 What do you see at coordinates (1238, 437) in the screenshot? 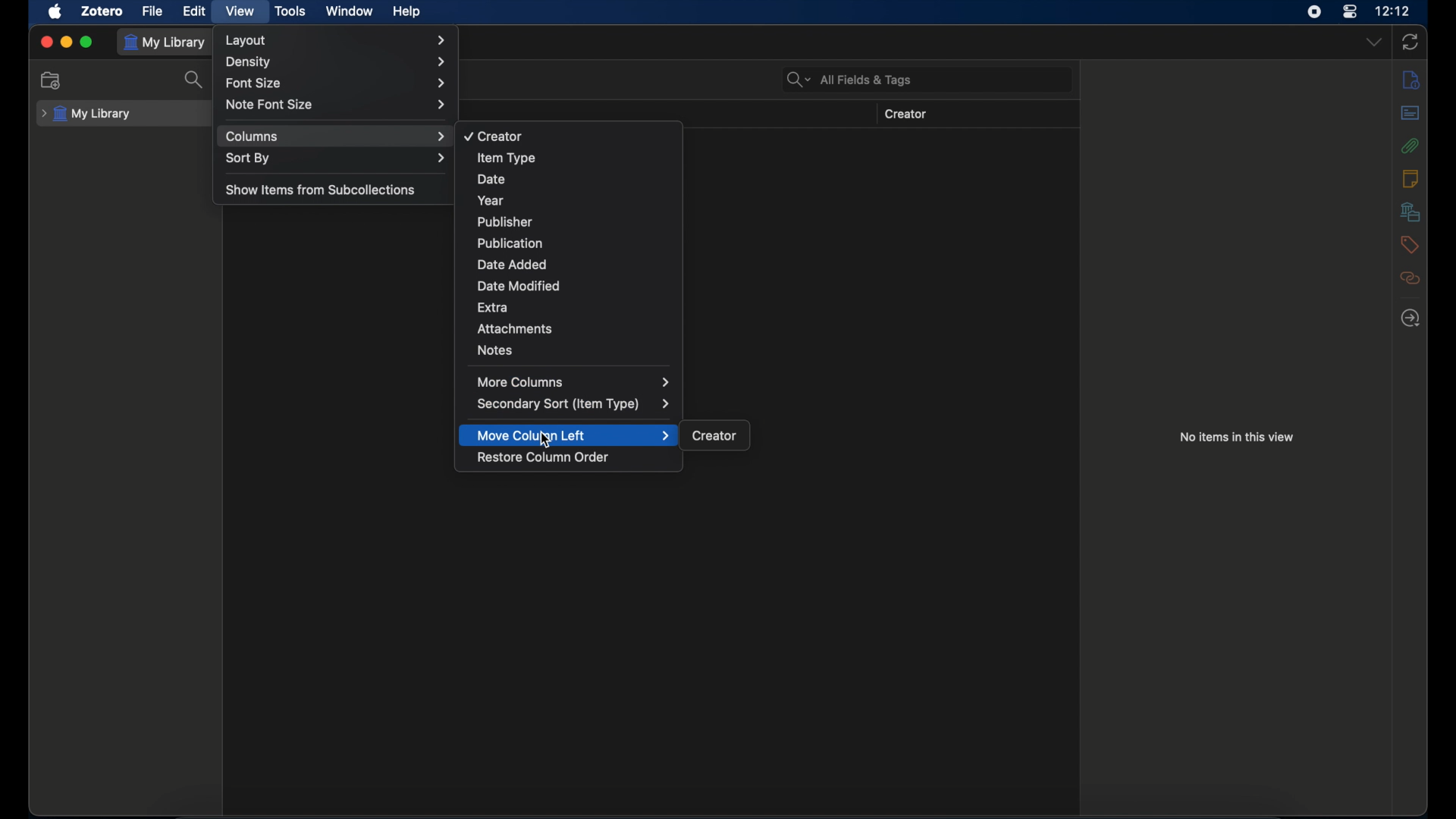
I see `no item in this view` at bounding box center [1238, 437].